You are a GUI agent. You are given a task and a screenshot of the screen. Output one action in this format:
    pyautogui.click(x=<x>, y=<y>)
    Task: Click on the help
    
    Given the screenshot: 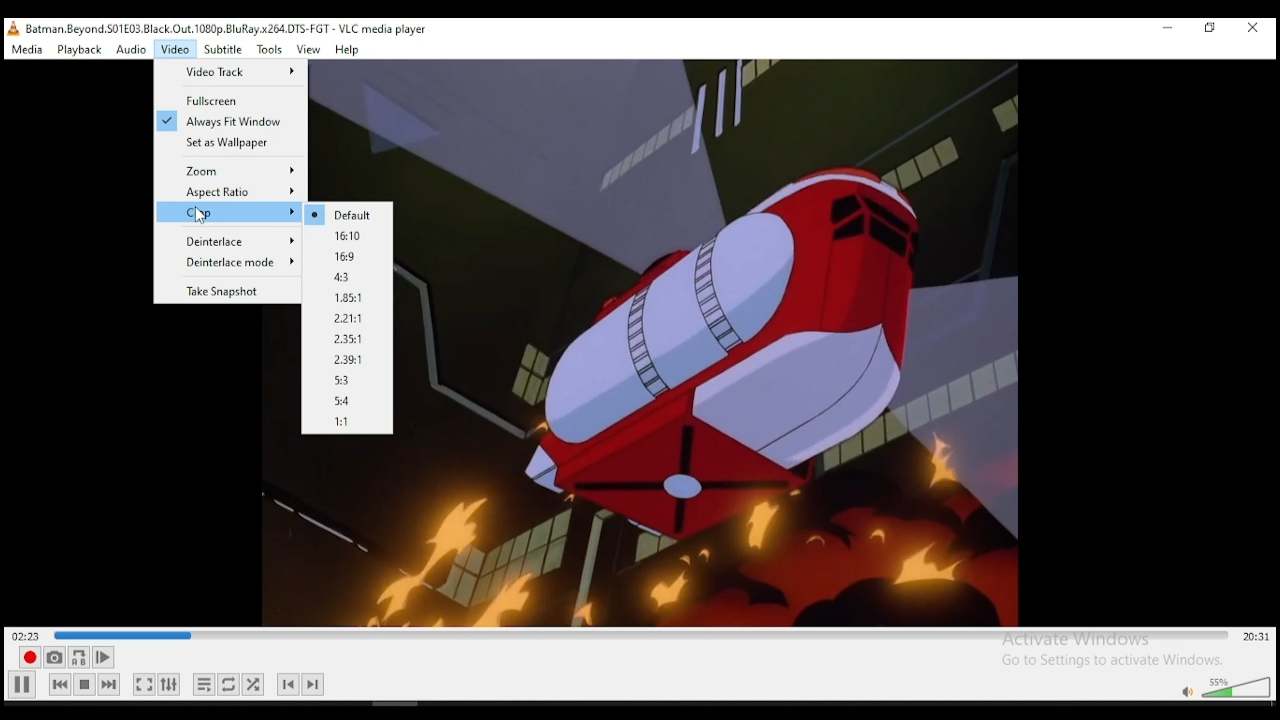 What is the action you would take?
    pyautogui.click(x=347, y=50)
    